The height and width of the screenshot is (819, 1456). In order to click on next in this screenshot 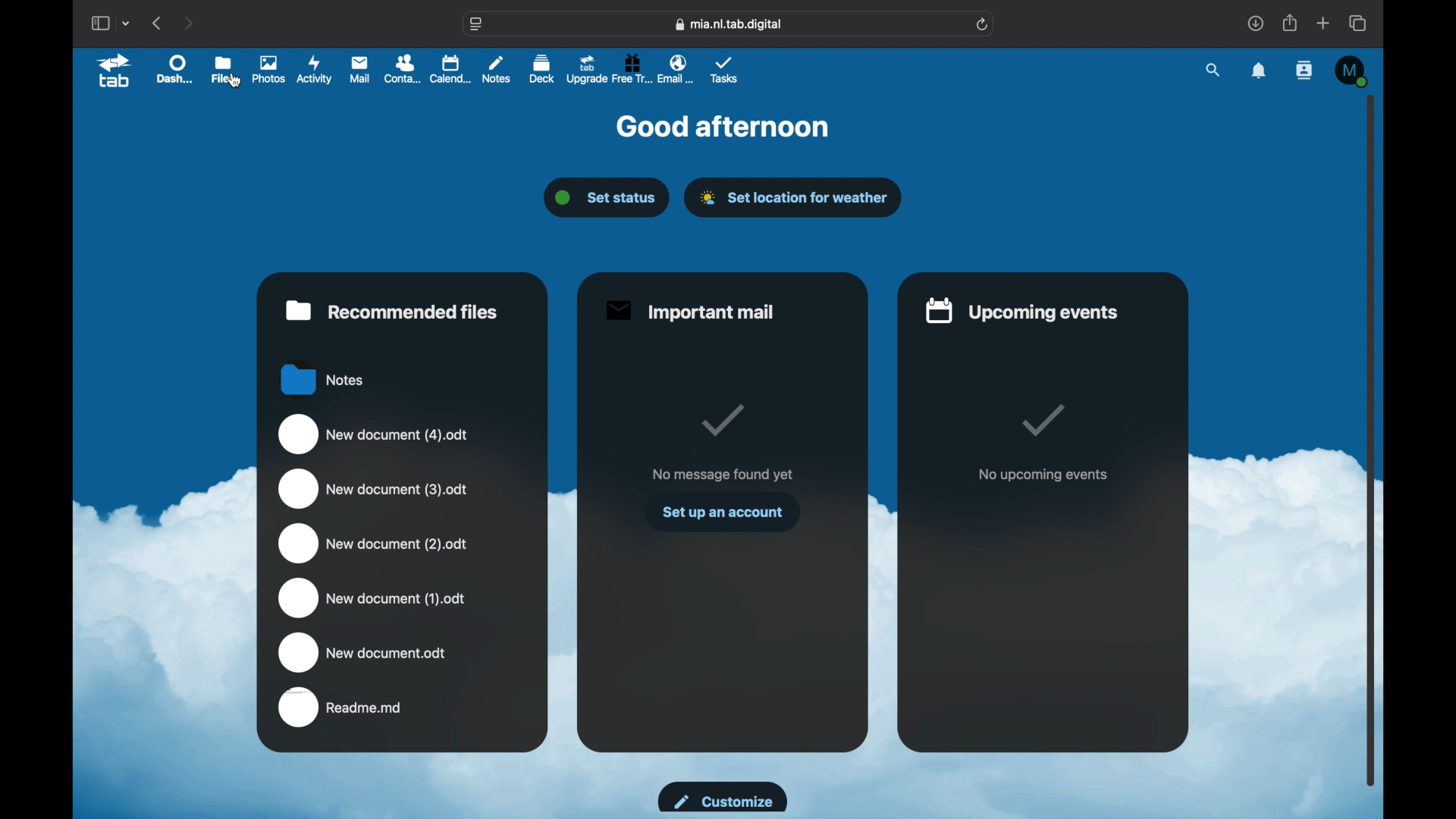, I will do `click(188, 24)`.